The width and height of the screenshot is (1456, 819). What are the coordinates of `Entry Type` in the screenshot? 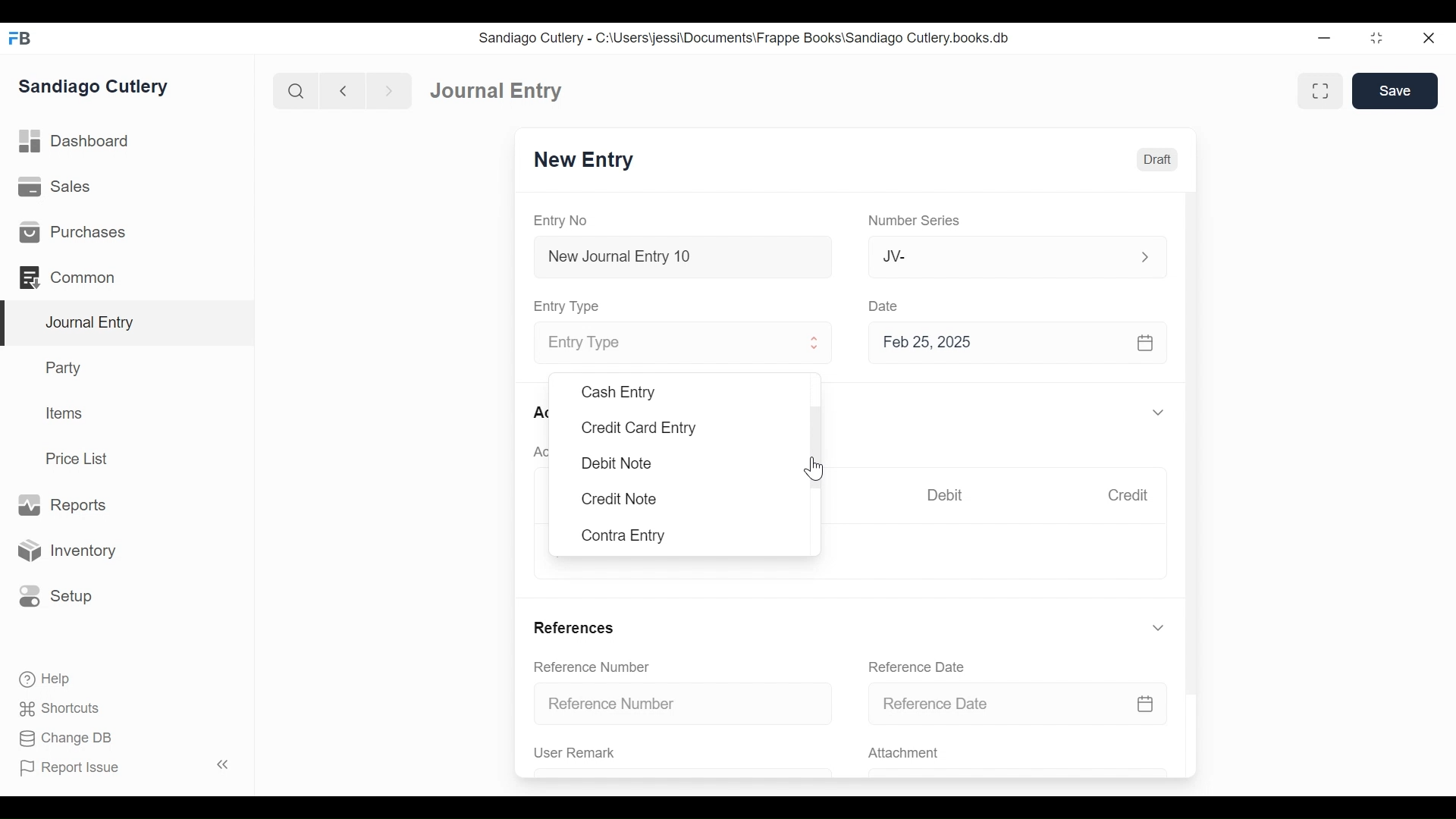 It's located at (665, 344).